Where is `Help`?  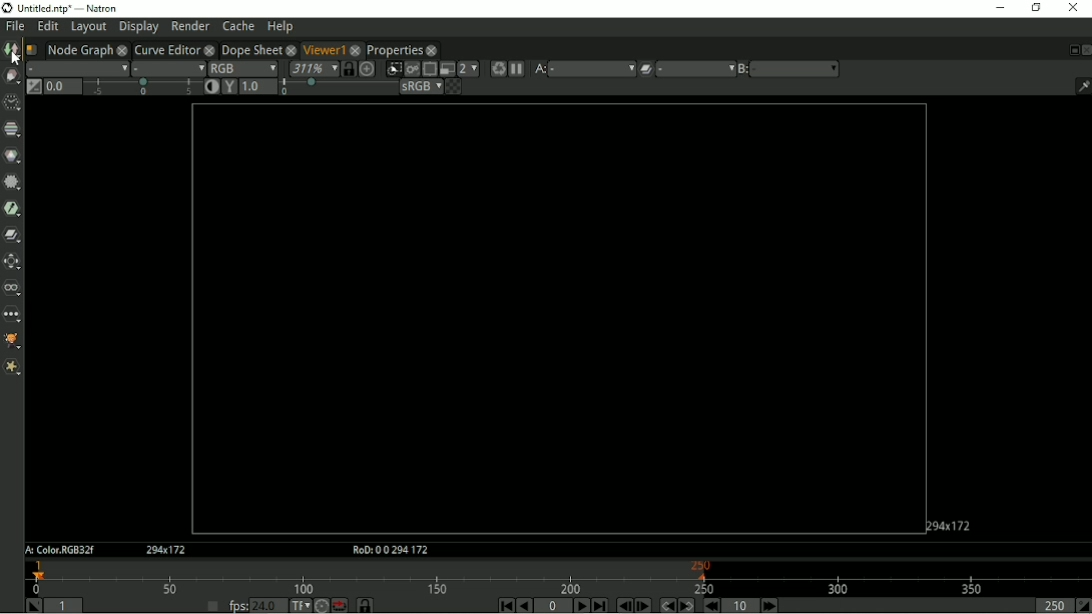 Help is located at coordinates (281, 26).